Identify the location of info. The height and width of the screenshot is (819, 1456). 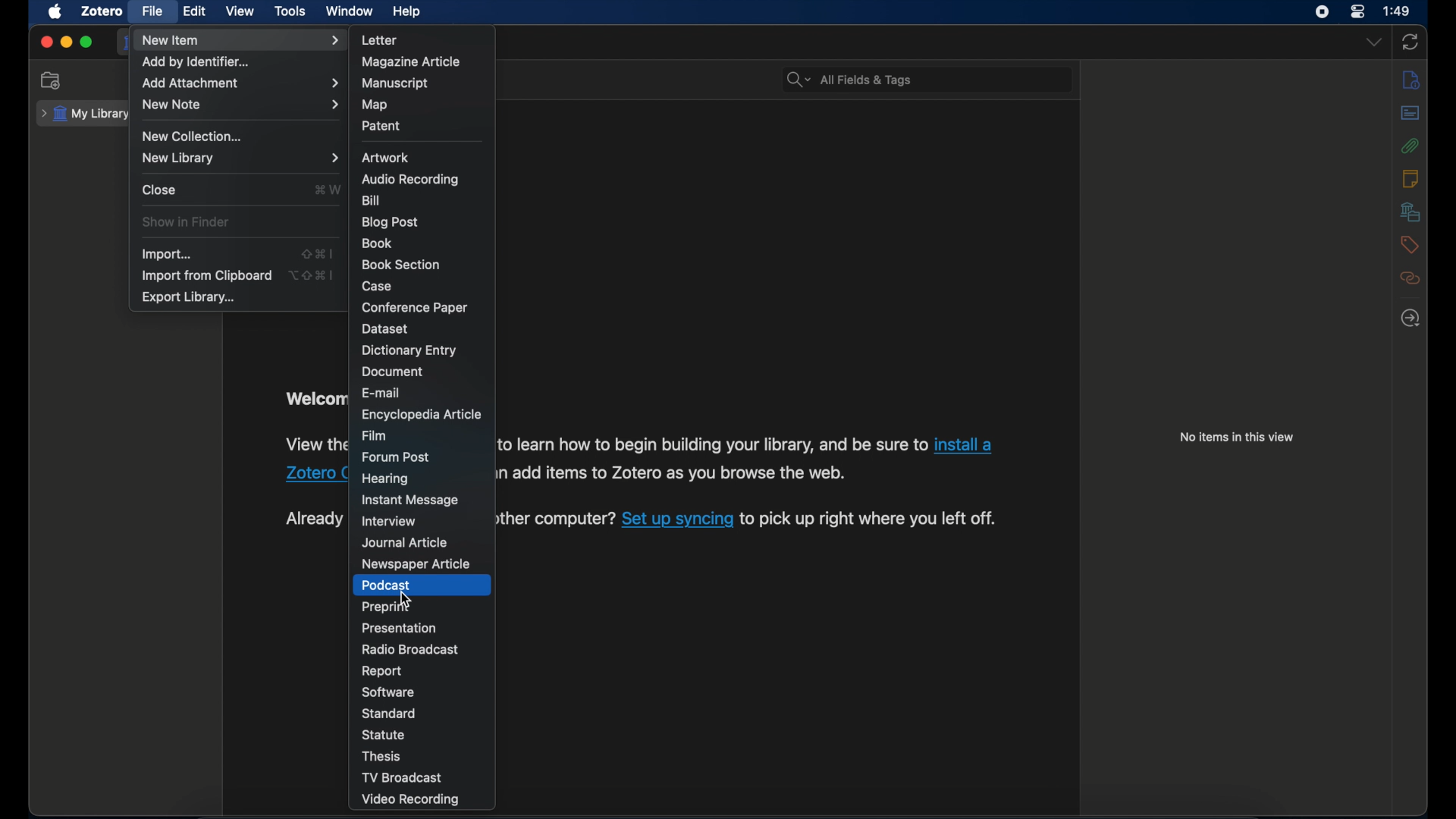
(1410, 81).